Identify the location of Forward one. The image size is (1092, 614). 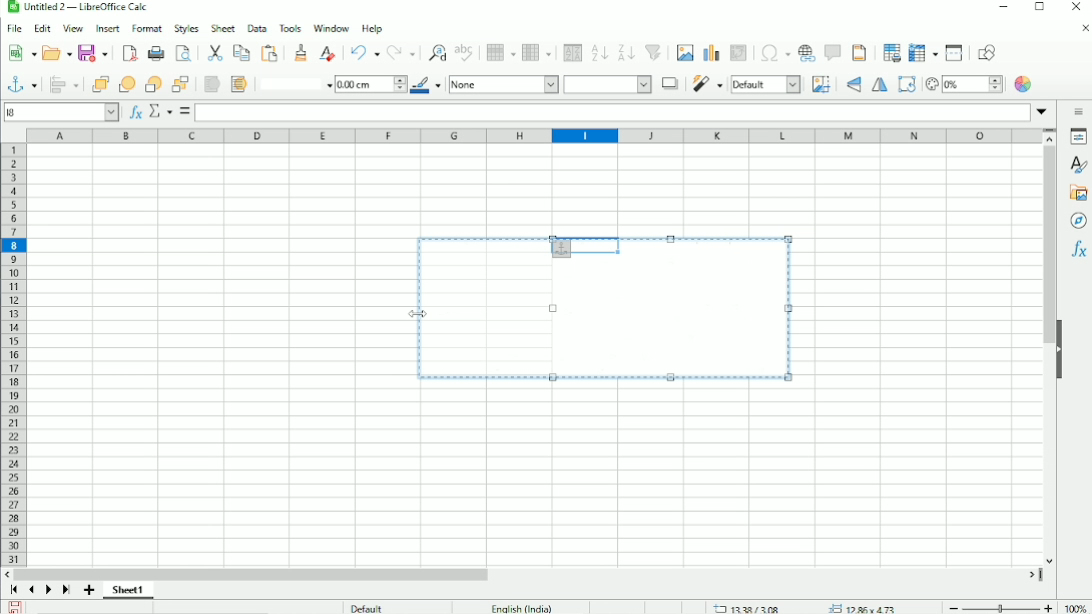
(127, 84).